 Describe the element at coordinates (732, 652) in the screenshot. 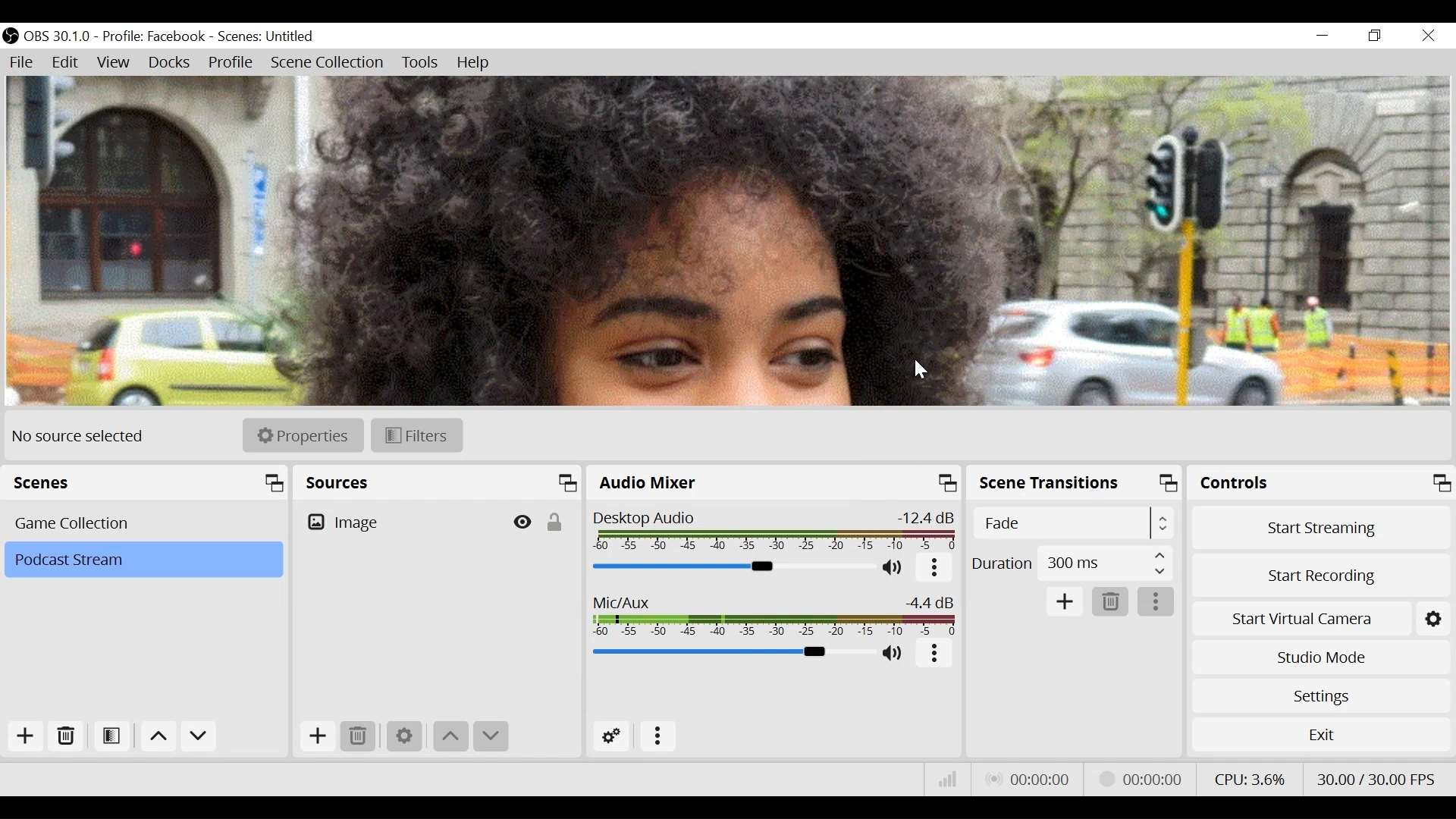

I see `Mic/Aux` at that location.